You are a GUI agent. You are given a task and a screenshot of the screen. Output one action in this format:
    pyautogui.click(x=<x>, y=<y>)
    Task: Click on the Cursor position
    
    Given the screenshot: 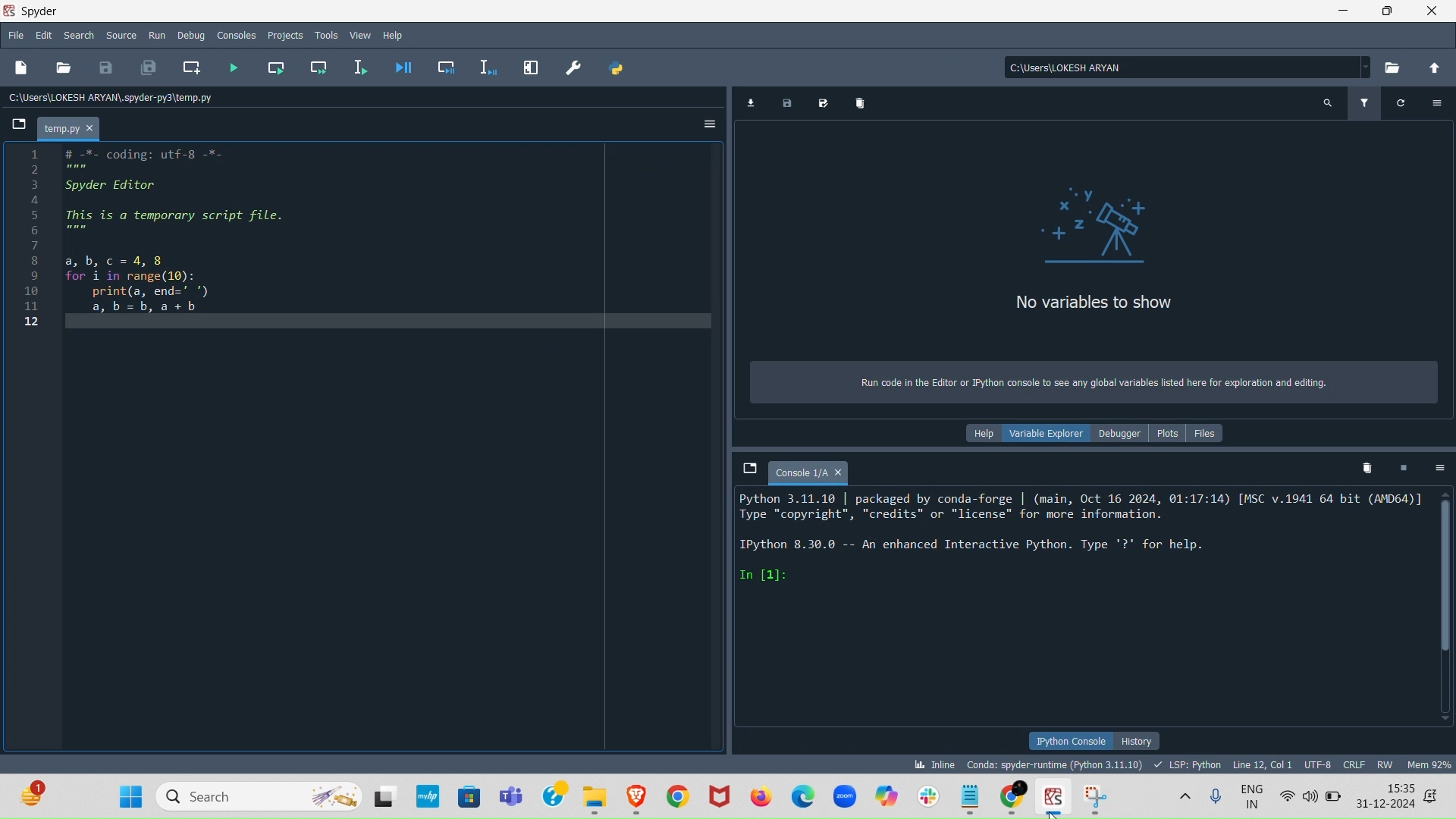 What is the action you would take?
    pyautogui.click(x=1260, y=764)
    